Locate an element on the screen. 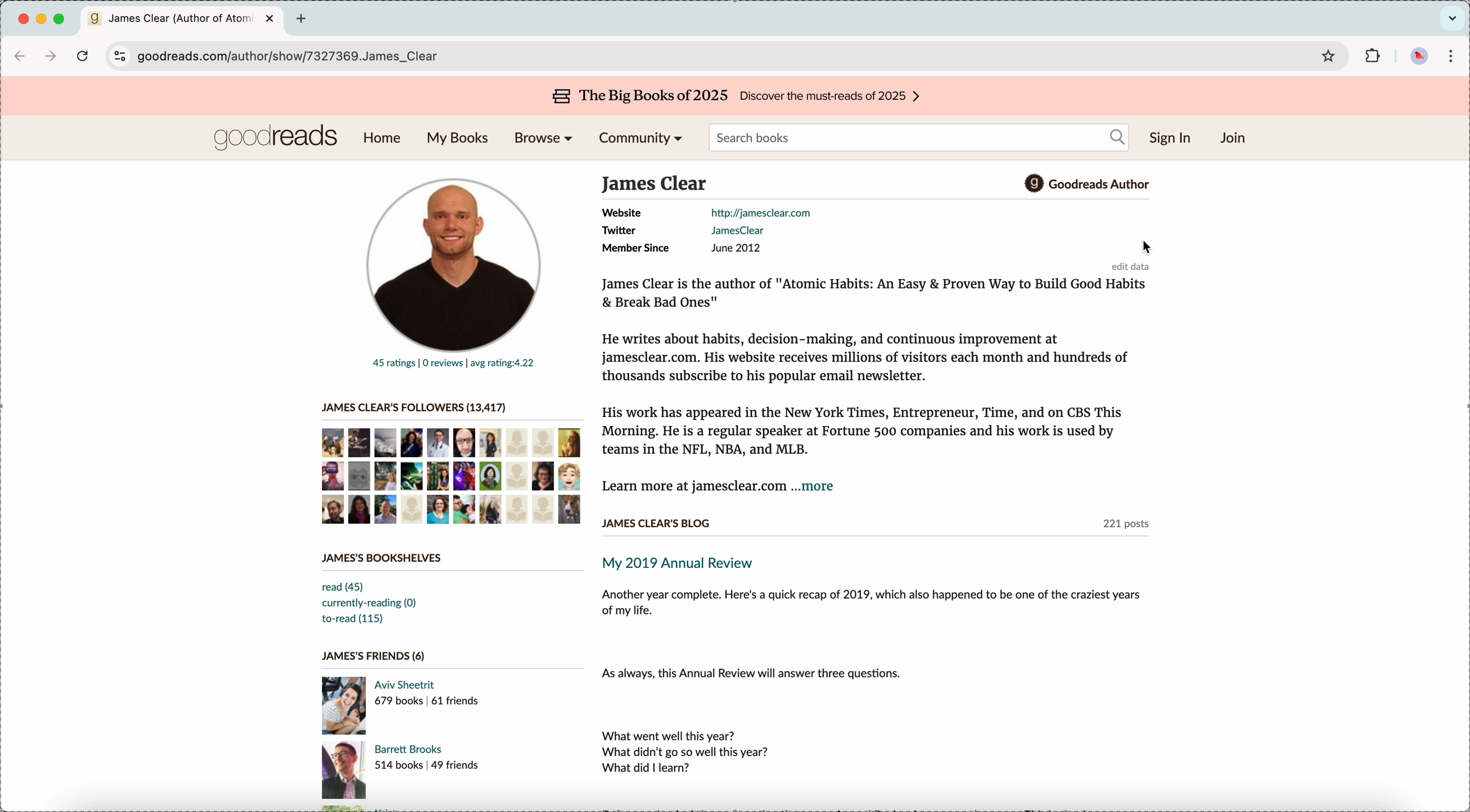 This screenshot has width=1470, height=812. What went this year? What didn't go so well this year? What did I learn? is located at coordinates (688, 752).